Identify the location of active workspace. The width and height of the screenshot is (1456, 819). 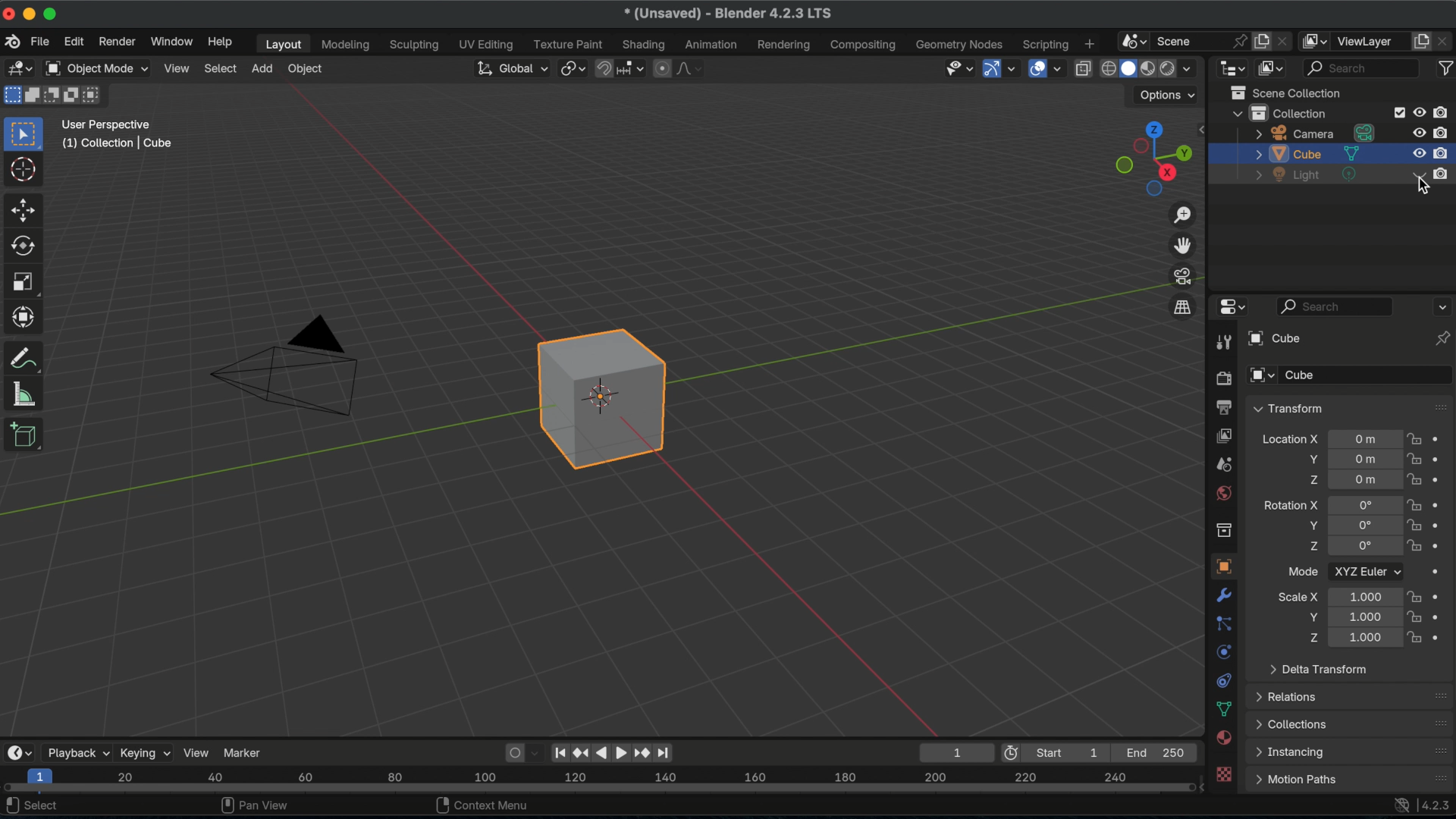
(1319, 41).